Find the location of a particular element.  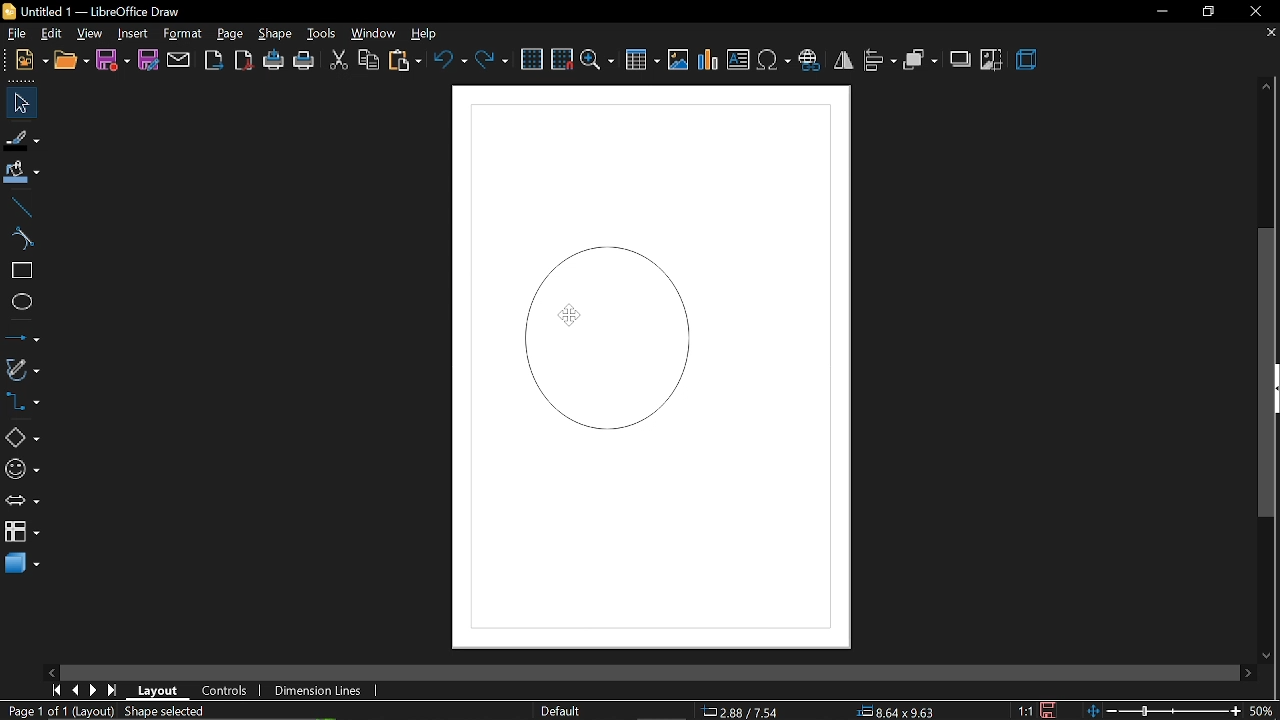

shape selected is located at coordinates (164, 712).